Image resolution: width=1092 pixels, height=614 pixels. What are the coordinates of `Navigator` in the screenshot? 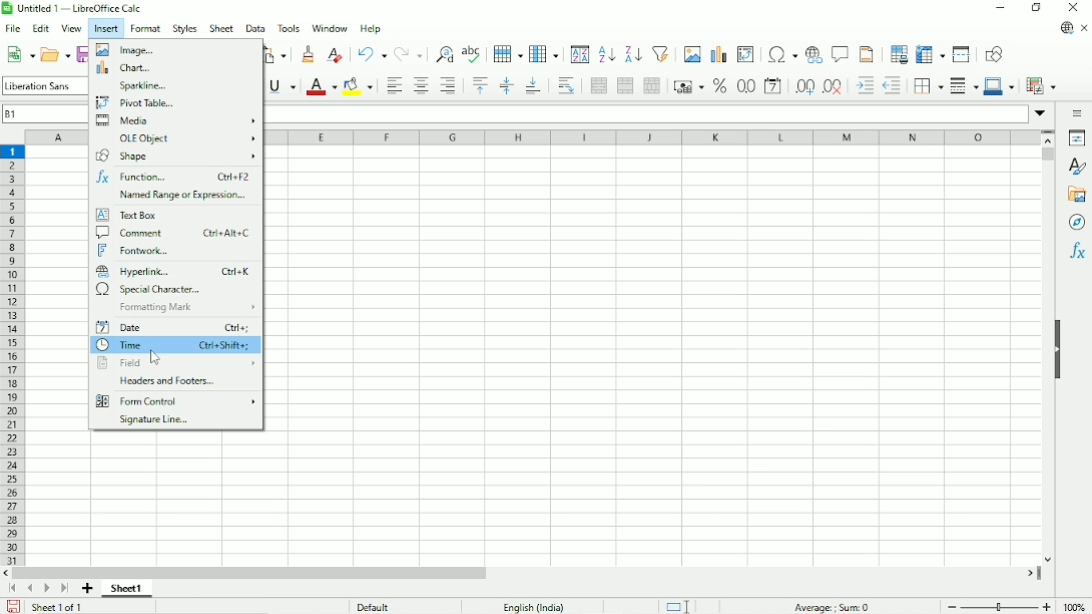 It's located at (1077, 223).